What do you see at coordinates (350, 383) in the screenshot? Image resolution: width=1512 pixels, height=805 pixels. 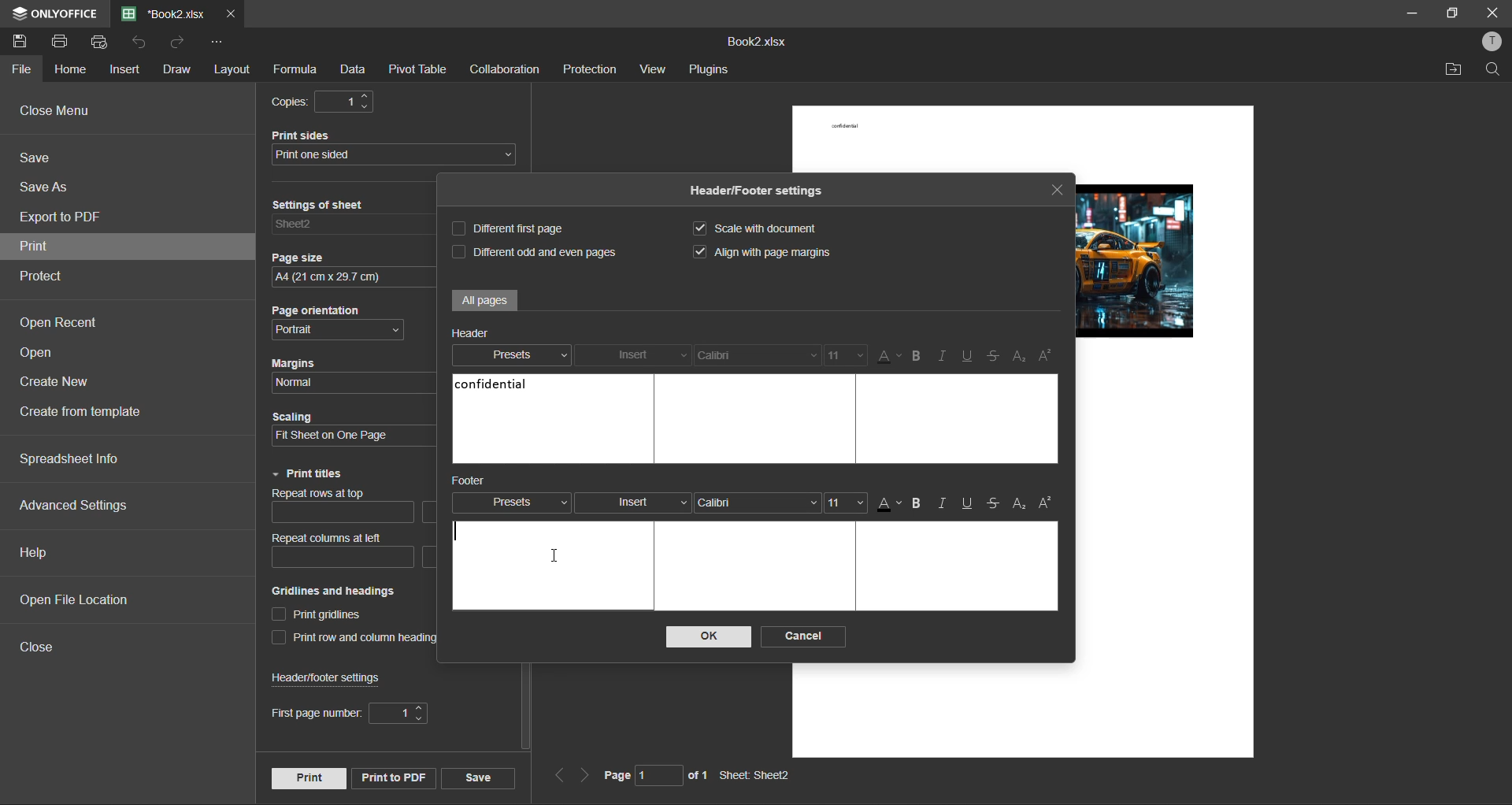 I see `margins` at bounding box center [350, 383].